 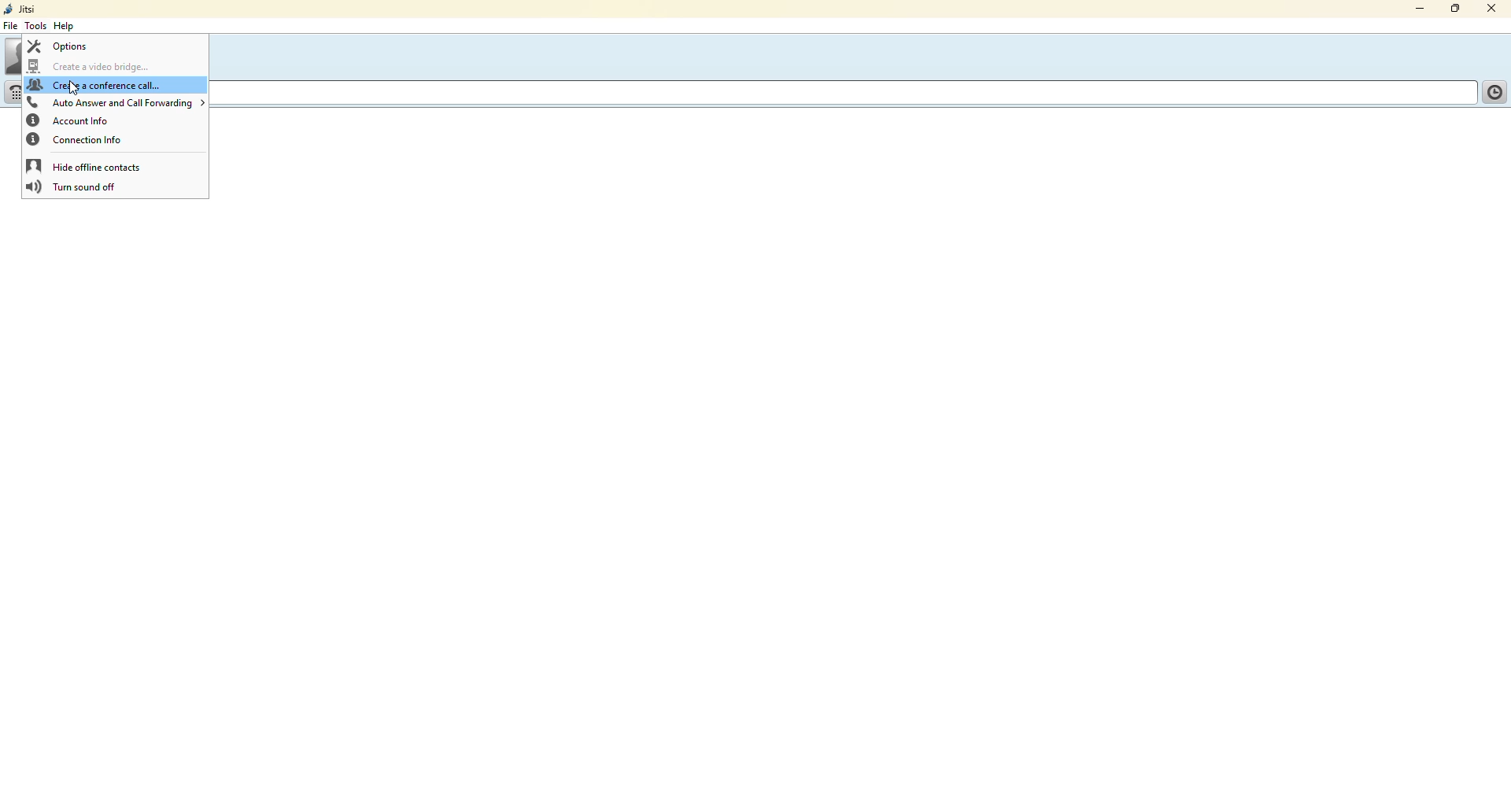 What do you see at coordinates (1454, 10) in the screenshot?
I see `maximize` at bounding box center [1454, 10].